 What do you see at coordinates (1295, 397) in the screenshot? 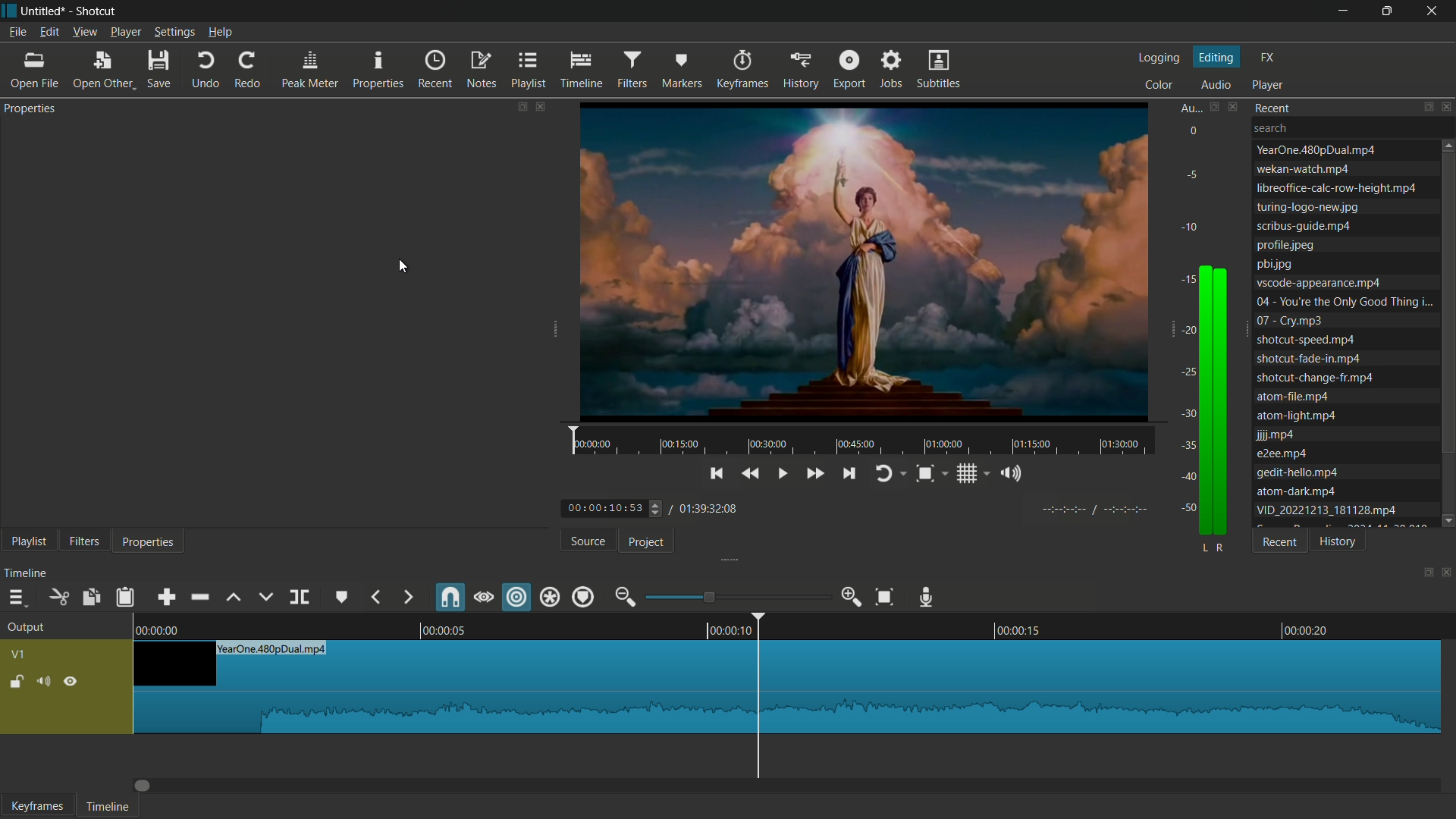
I see `file-14` at bounding box center [1295, 397].